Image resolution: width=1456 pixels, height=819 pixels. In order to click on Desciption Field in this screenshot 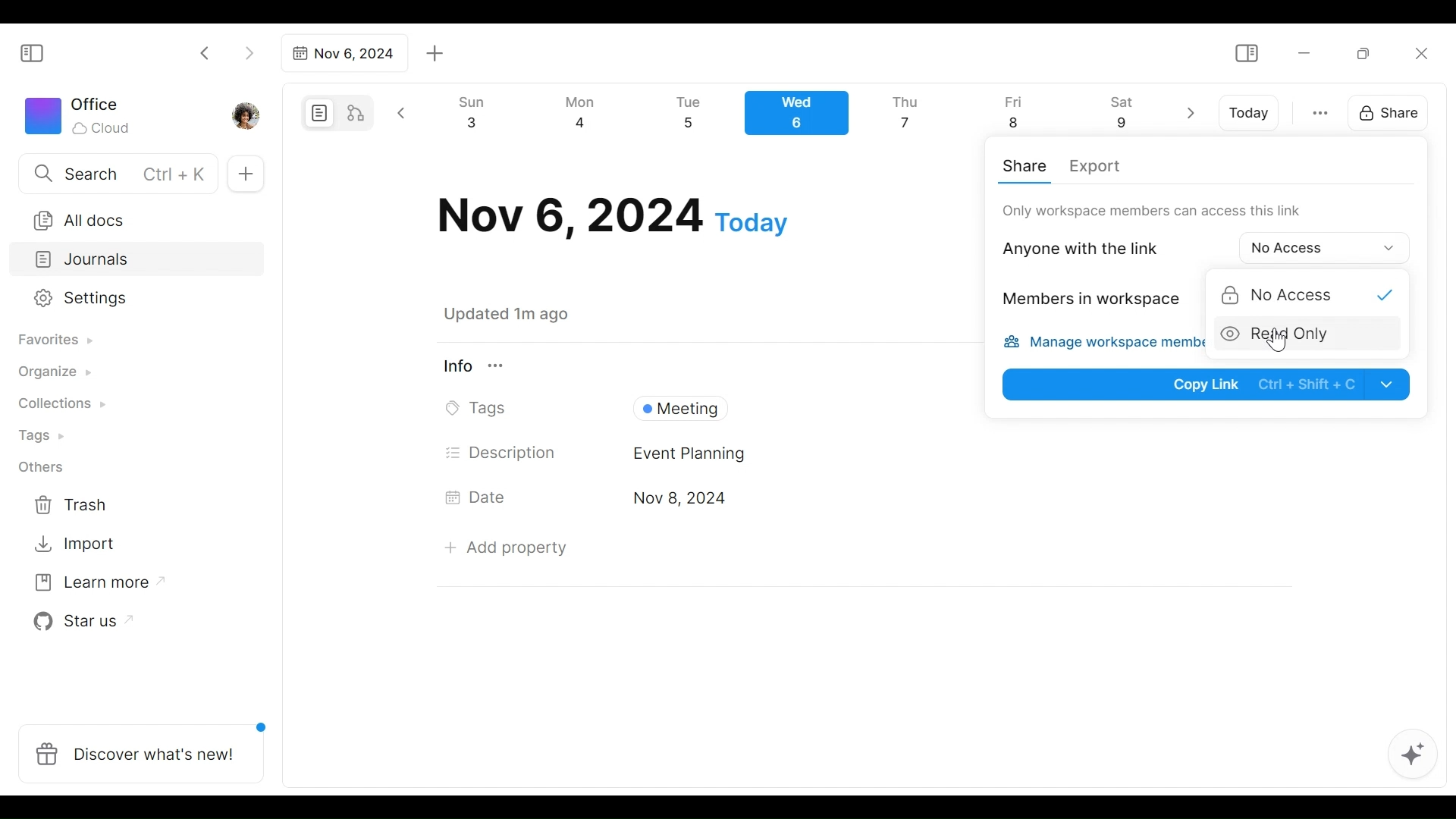, I will do `click(959, 453)`.